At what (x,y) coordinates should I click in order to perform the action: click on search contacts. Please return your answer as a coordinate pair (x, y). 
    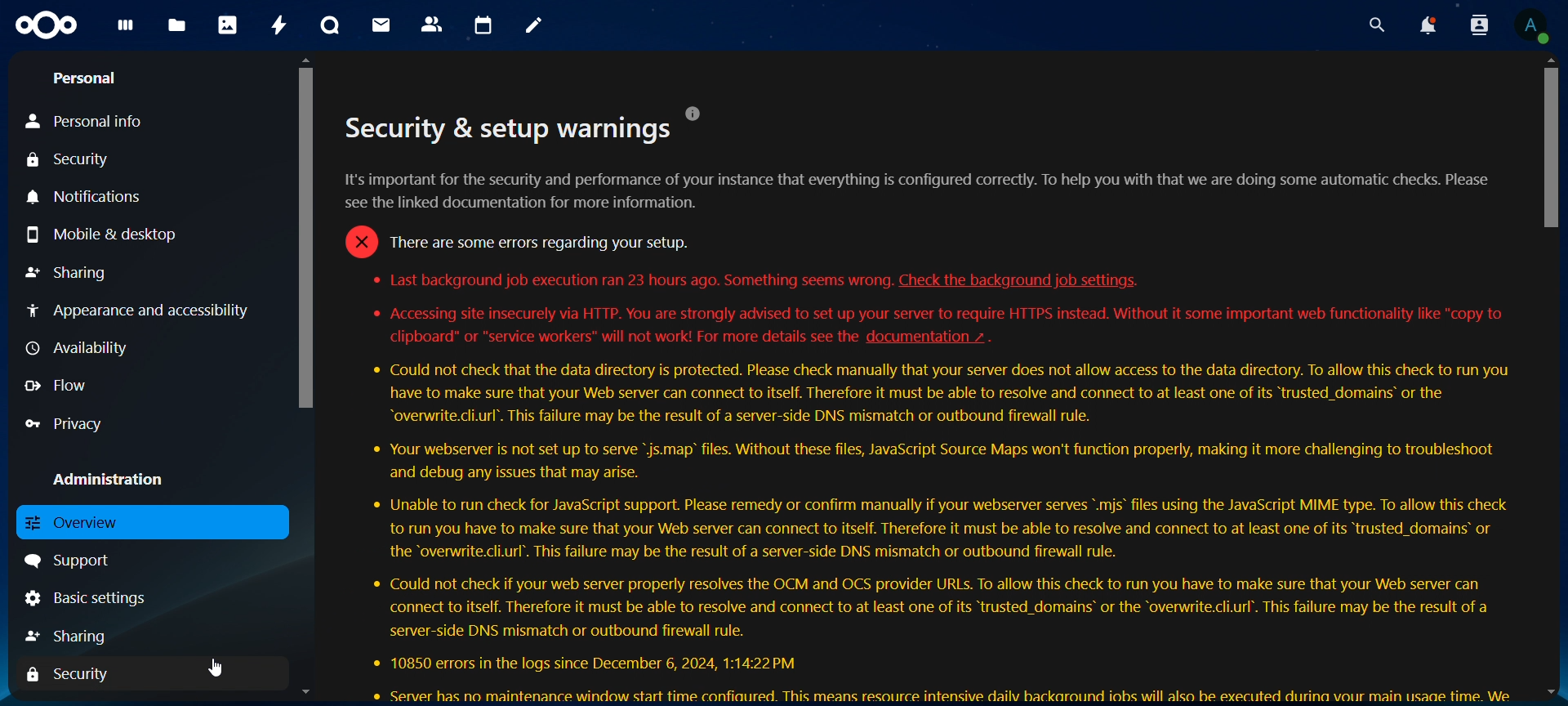
    Looking at the image, I should click on (1475, 26).